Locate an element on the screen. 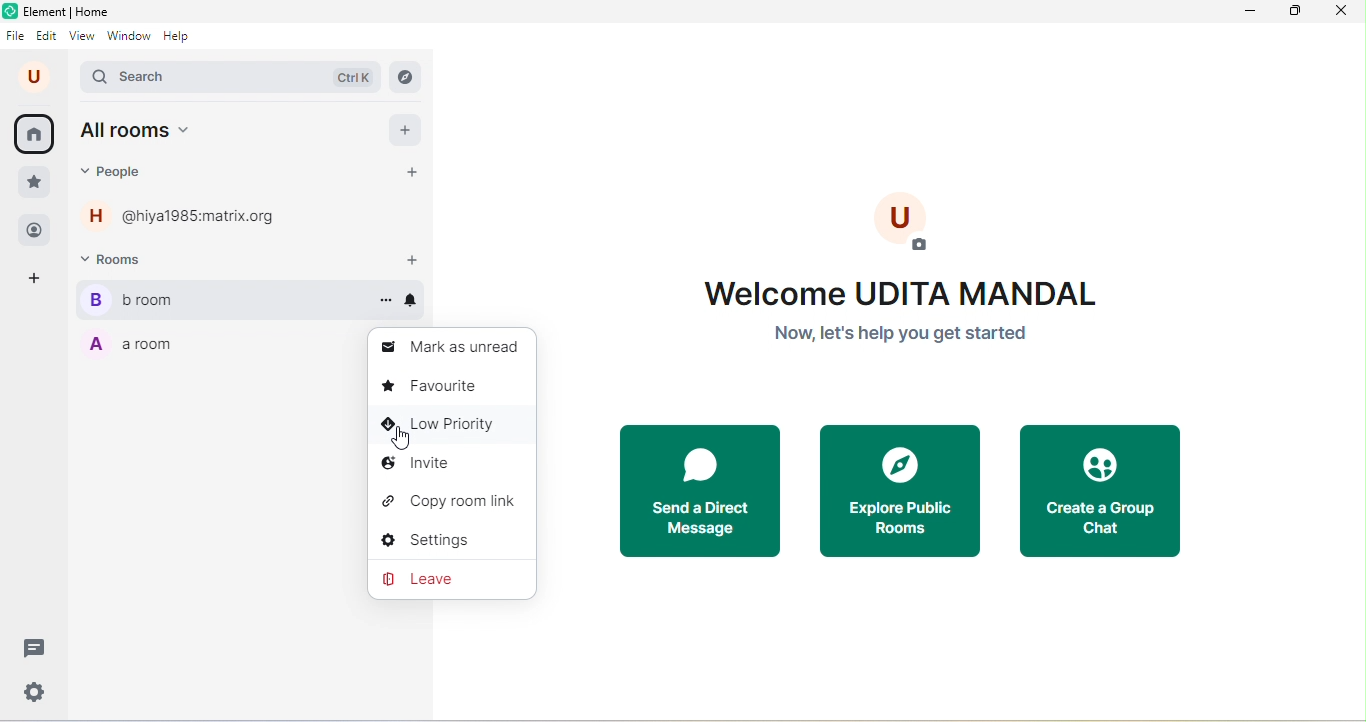  notifications is located at coordinates (413, 302).